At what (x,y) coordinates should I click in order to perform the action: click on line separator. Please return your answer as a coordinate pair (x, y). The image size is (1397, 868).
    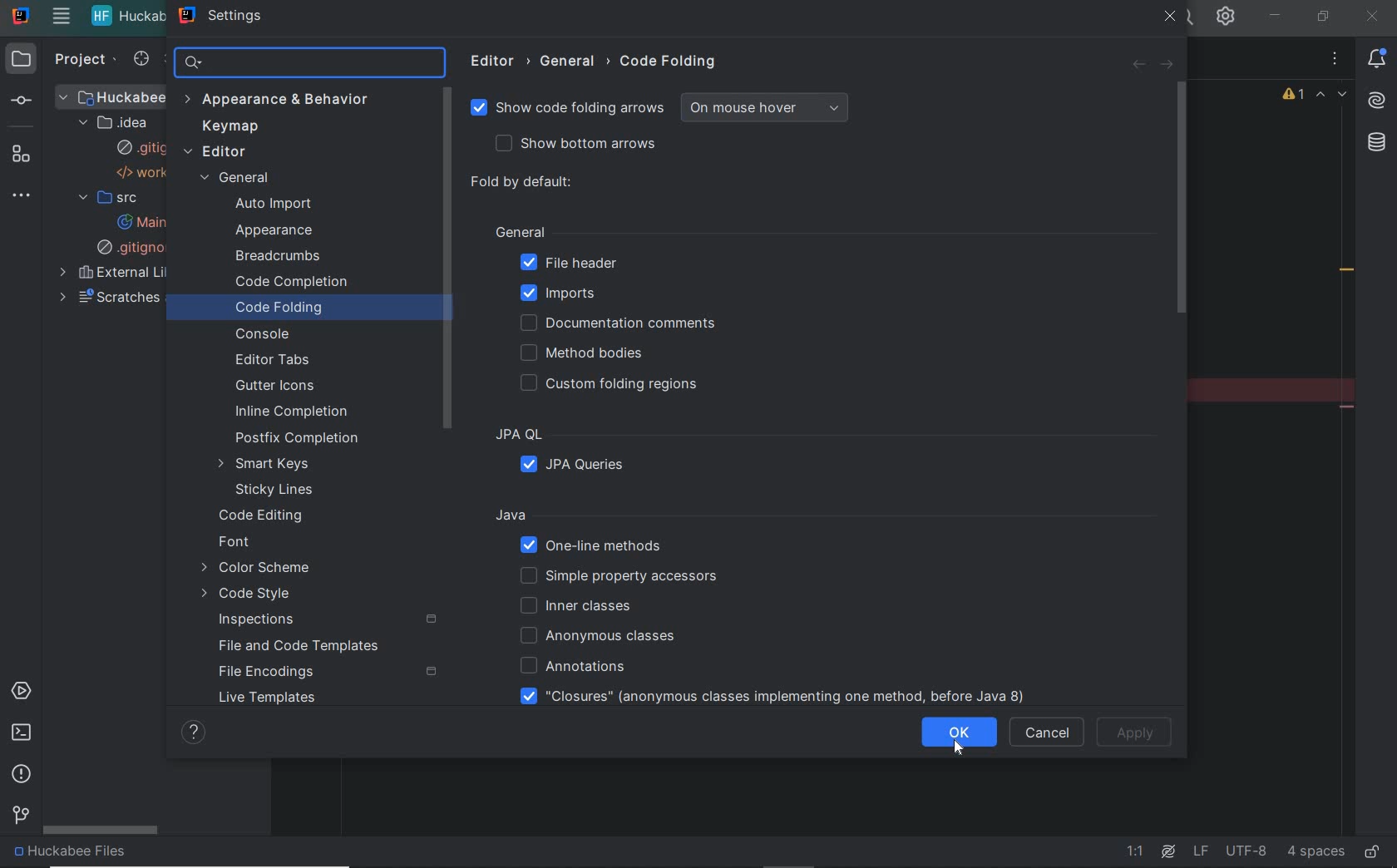
    Looking at the image, I should click on (1200, 851).